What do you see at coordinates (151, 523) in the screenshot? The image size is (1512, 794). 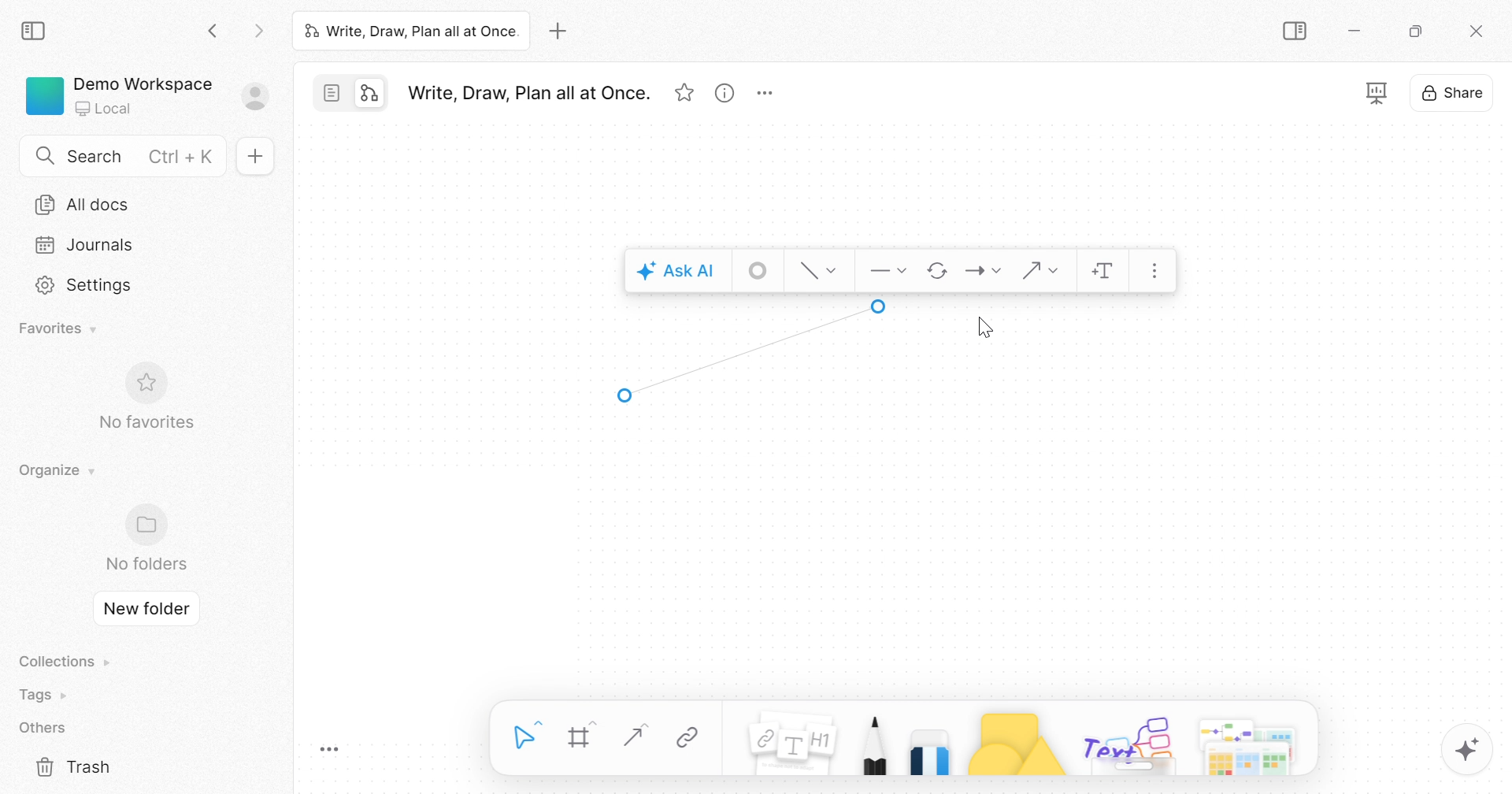 I see `Folder icon` at bounding box center [151, 523].